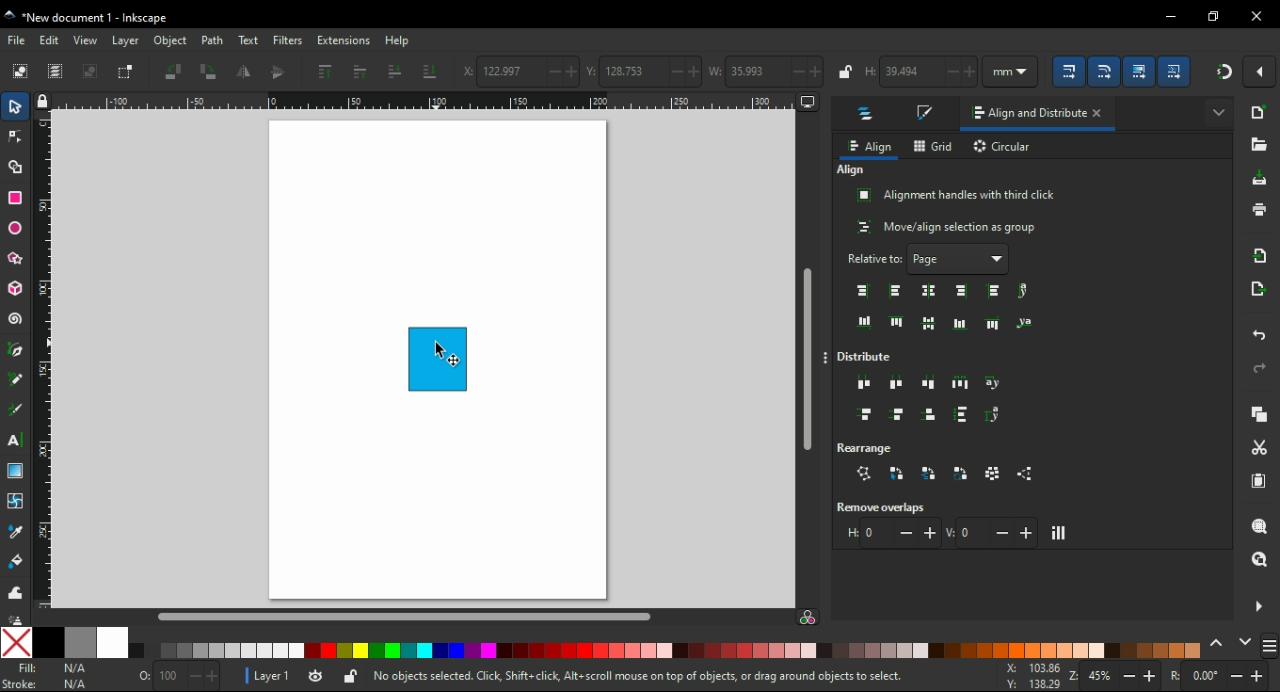 The image size is (1280, 692). Describe the element at coordinates (1267, 643) in the screenshot. I see `sidebar` at that location.